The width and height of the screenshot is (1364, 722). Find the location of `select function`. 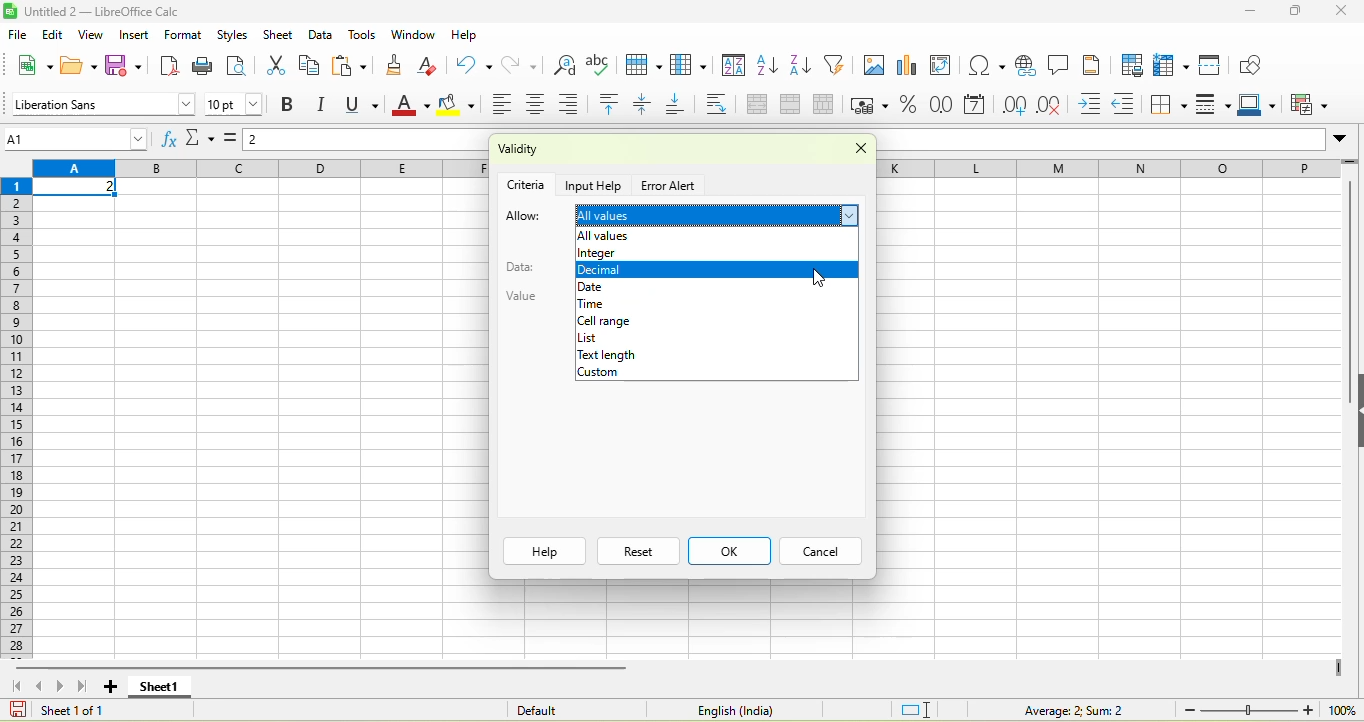

select function is located at coordinates (202, 140).